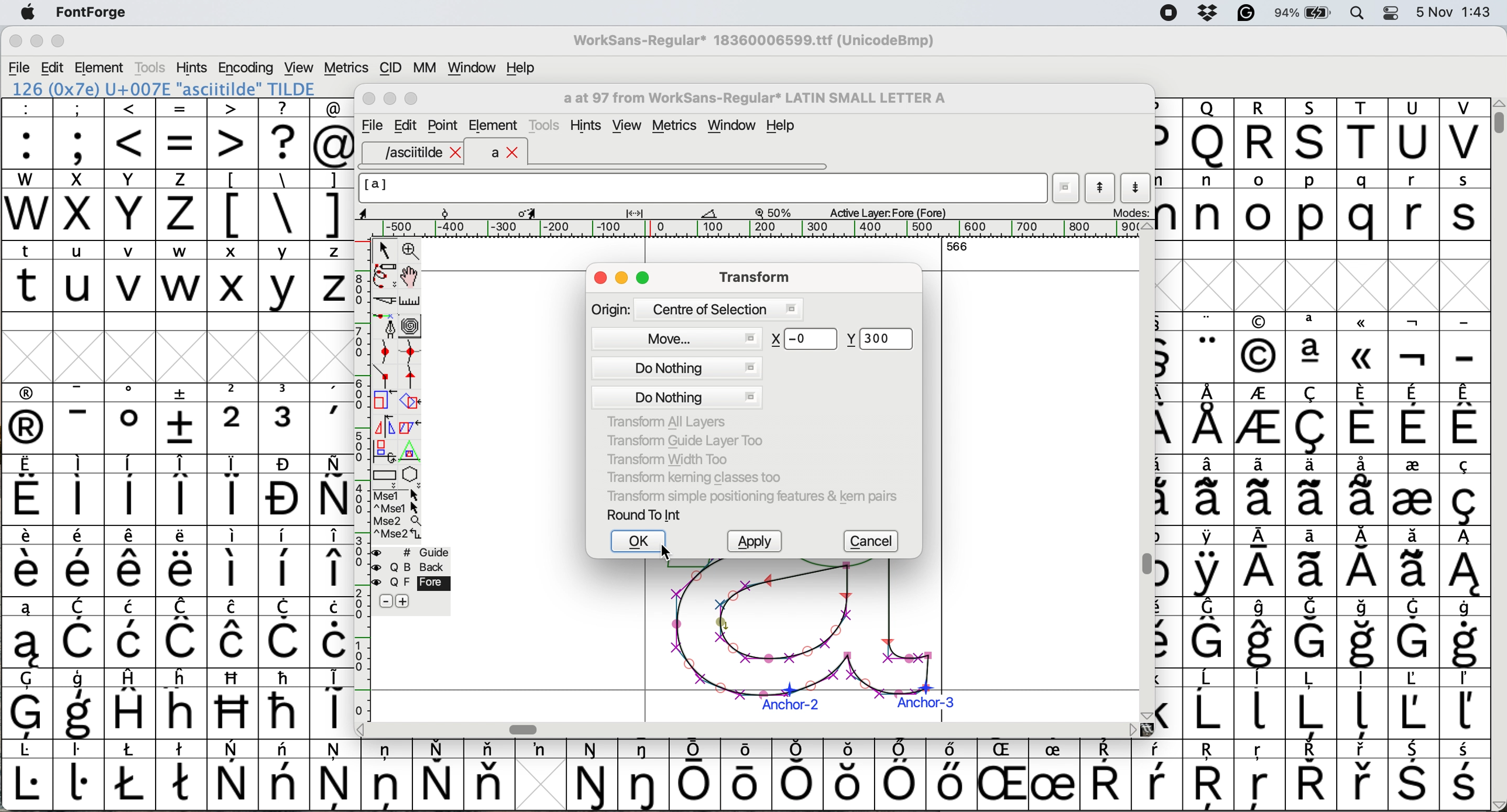 The image size is (1507, 812). I want to click on view, so click(626, 126).